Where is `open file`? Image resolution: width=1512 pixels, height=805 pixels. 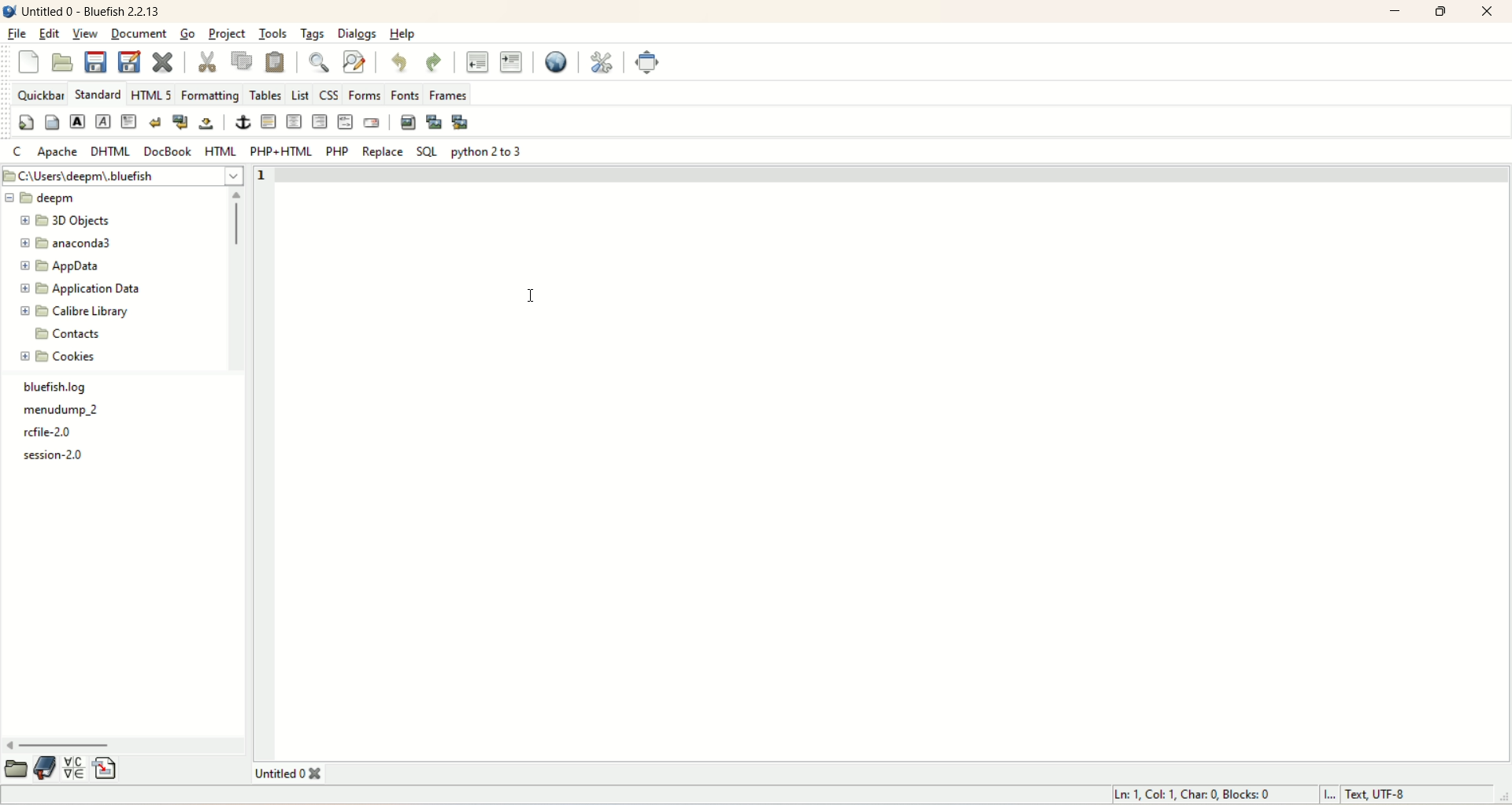 open file is located at coordinates (64, 62).